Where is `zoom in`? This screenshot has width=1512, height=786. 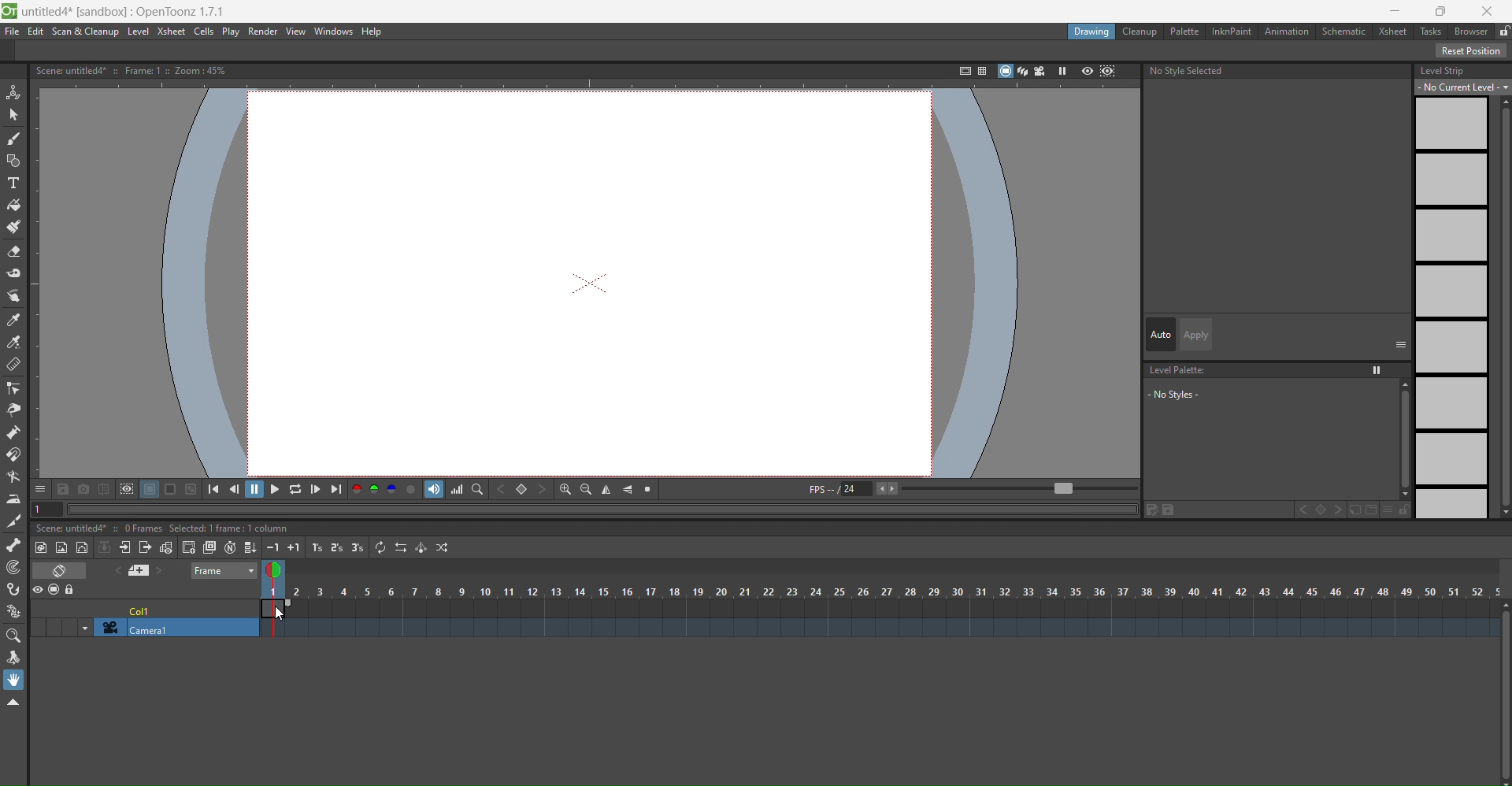 zoom in is located at coordinates (565, 489).